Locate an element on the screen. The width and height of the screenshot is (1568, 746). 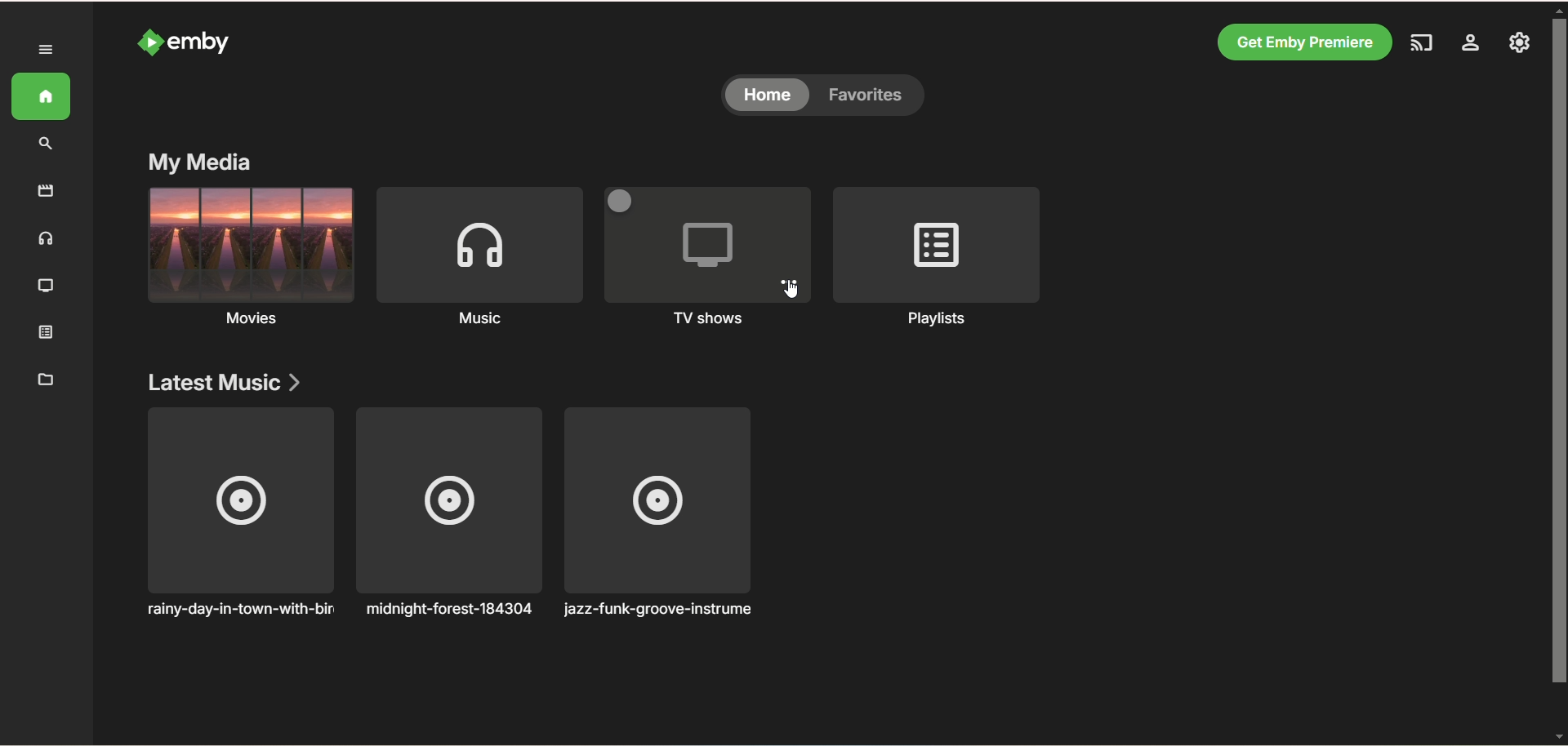
TV shows is located at coordinates (706, 254).